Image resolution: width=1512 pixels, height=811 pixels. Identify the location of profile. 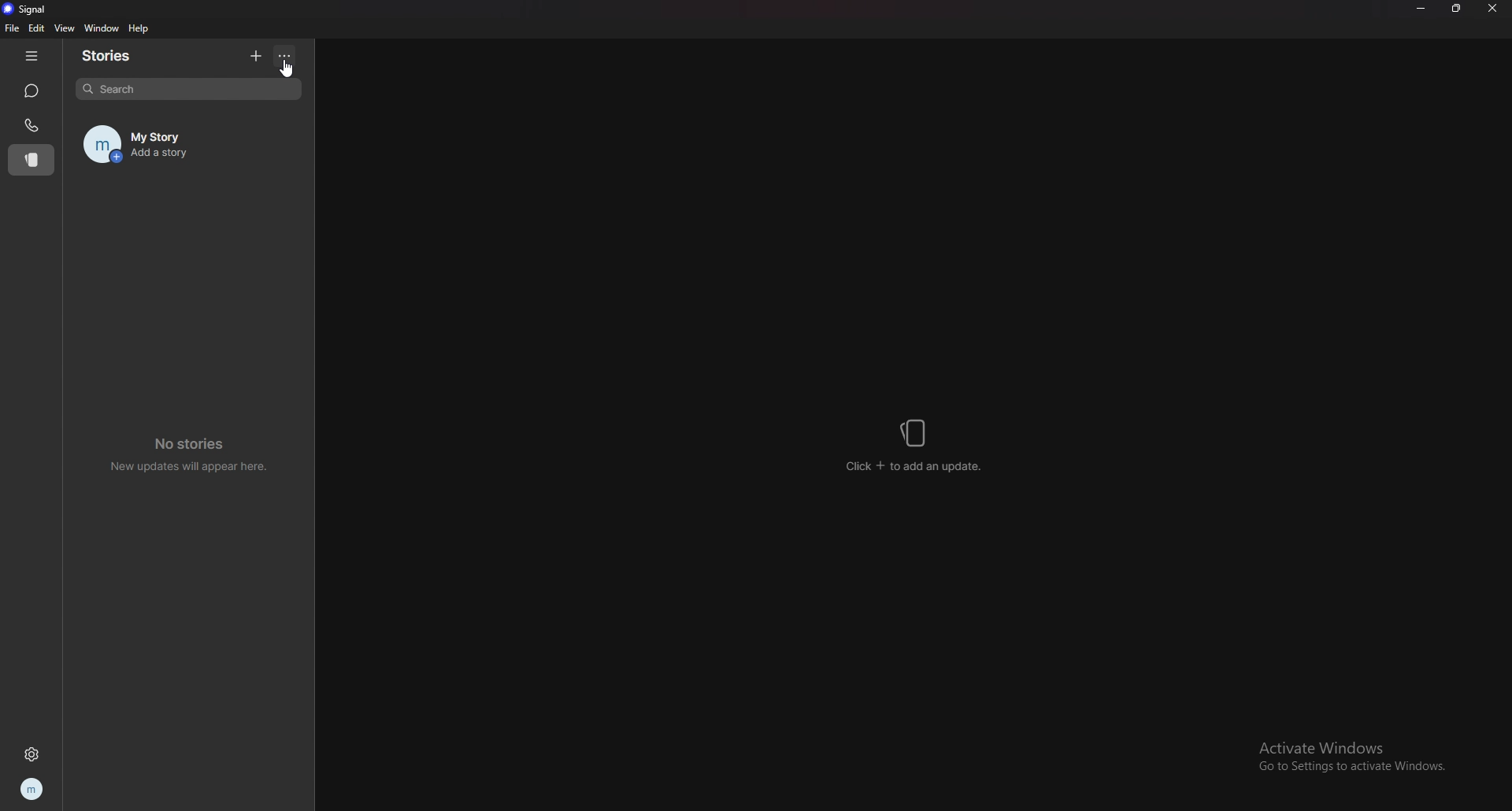
(33, 787).